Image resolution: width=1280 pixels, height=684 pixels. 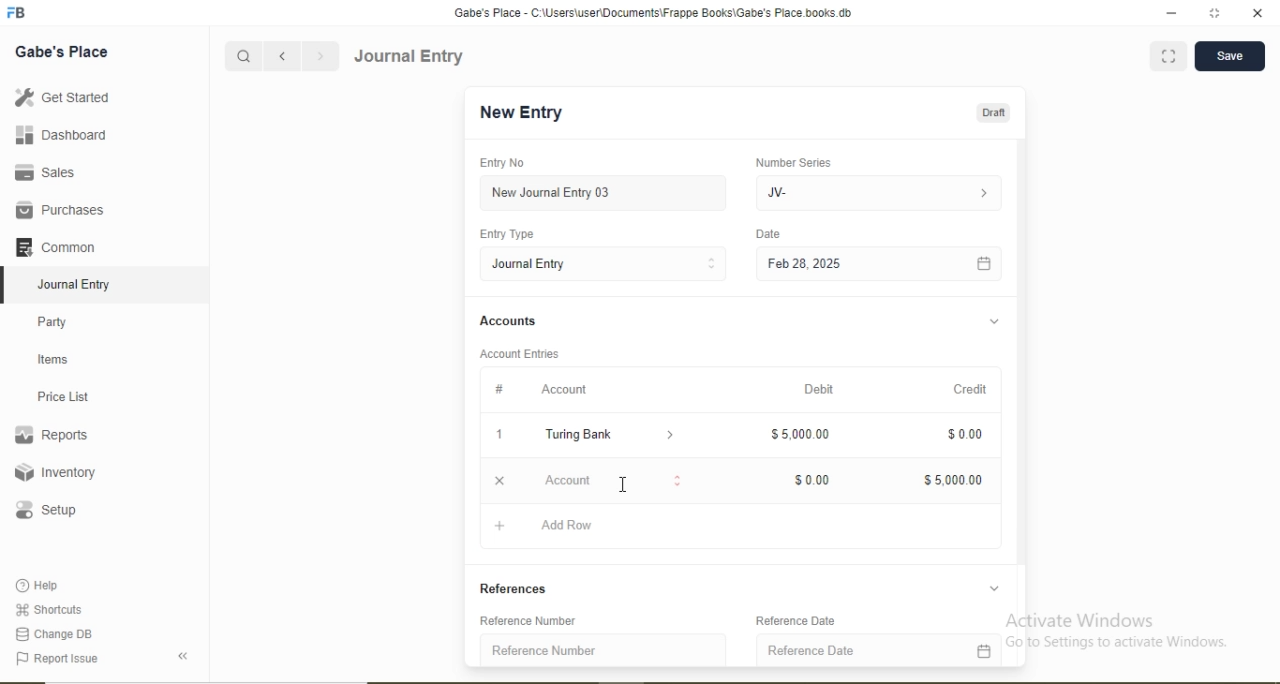 What do you see at coordinates (795, 621) in the screenshot?
I see `Reference Date` at bounding box center [795, 621].